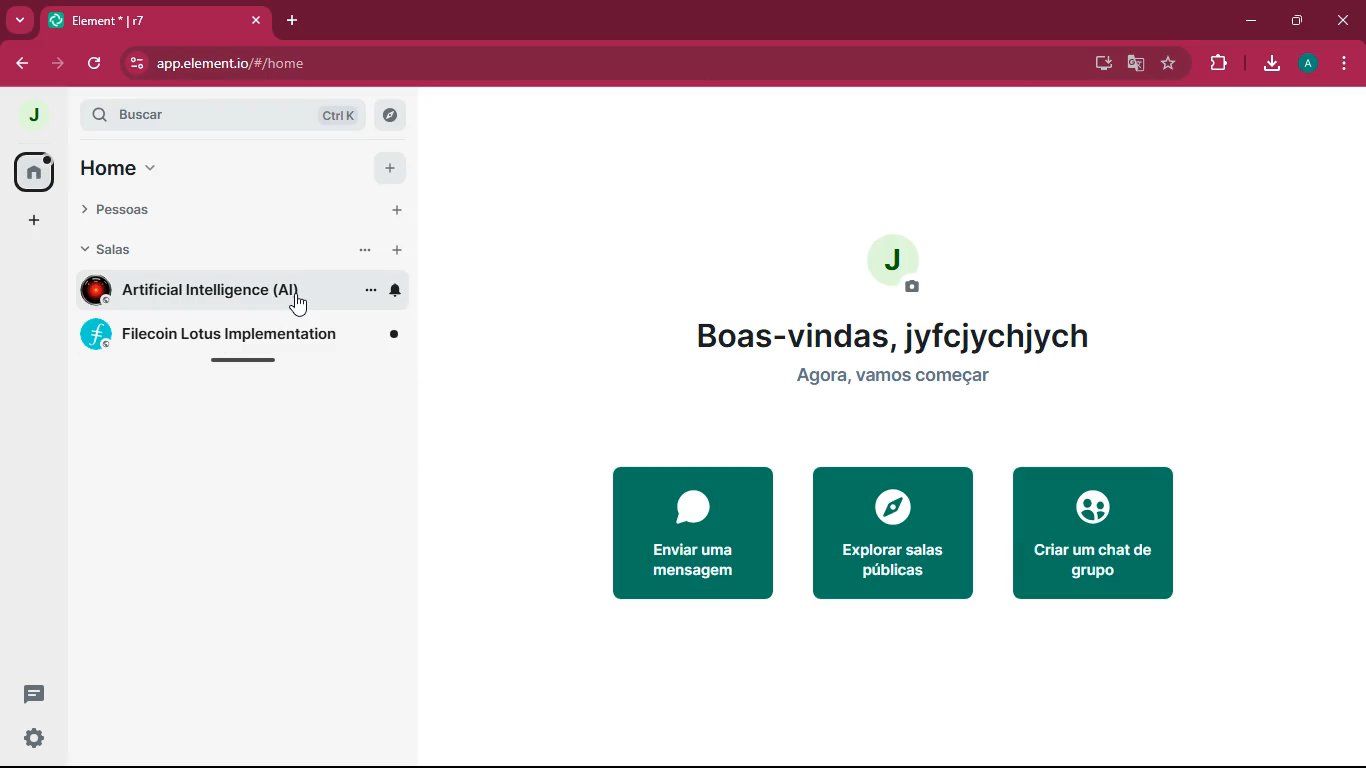 The height and width of the screenshot is (768, 1366). I want to click on downloads, so click(1267, 64).